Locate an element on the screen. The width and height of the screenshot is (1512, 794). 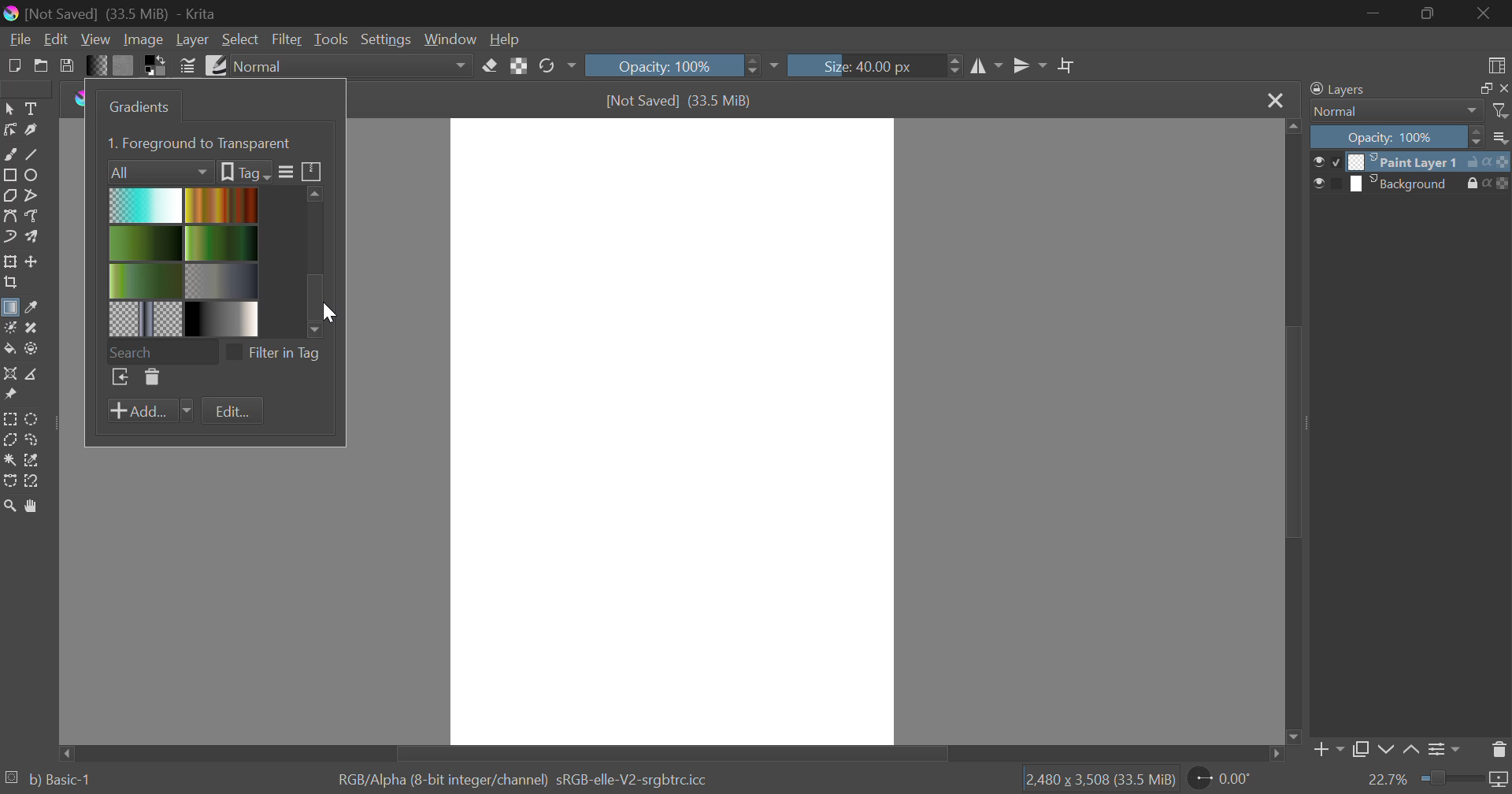
icon is located at coordinates (1503, 184).